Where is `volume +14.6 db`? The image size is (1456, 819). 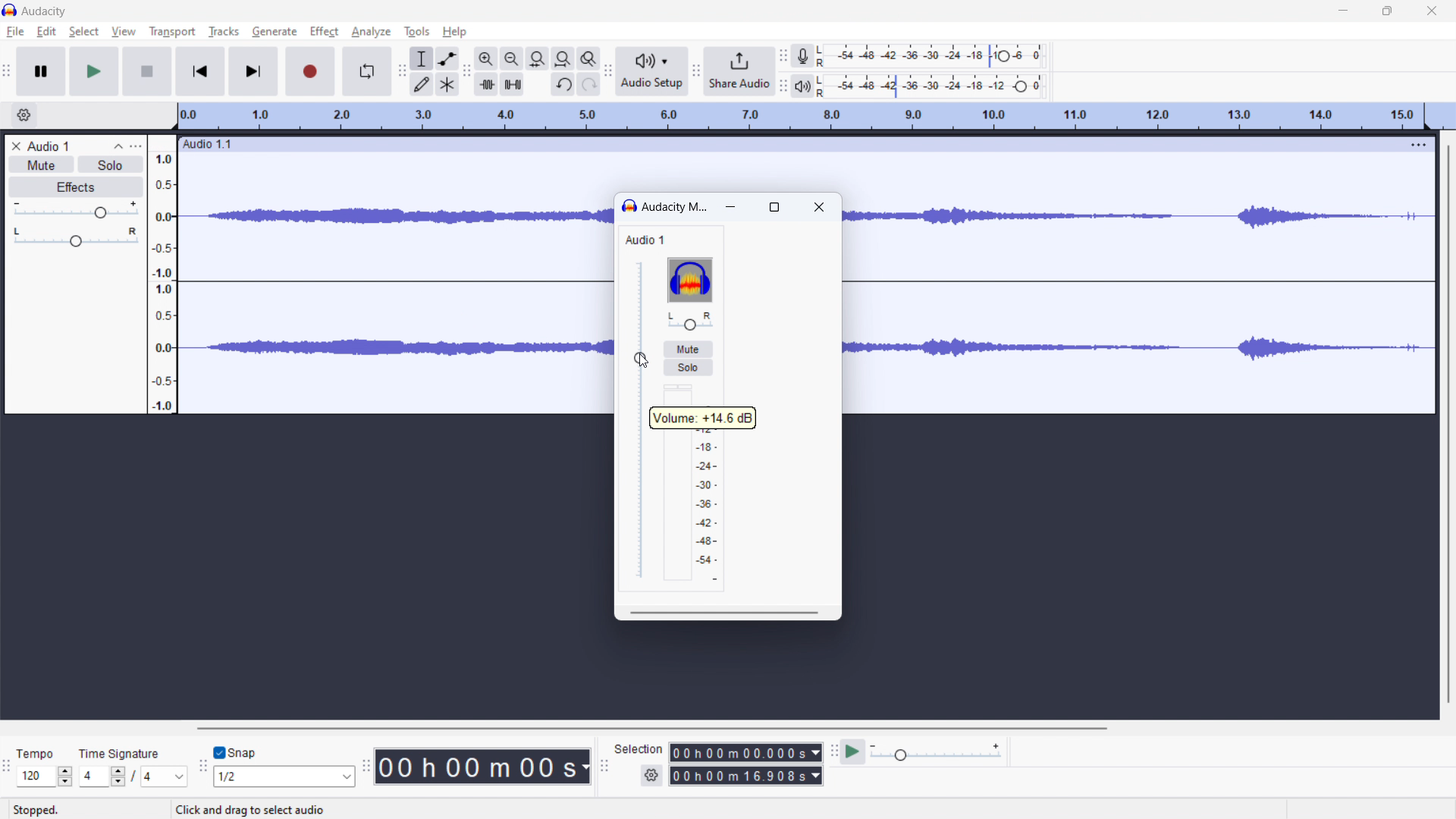 volume +14.6 db is located at coordinates (702, 417).